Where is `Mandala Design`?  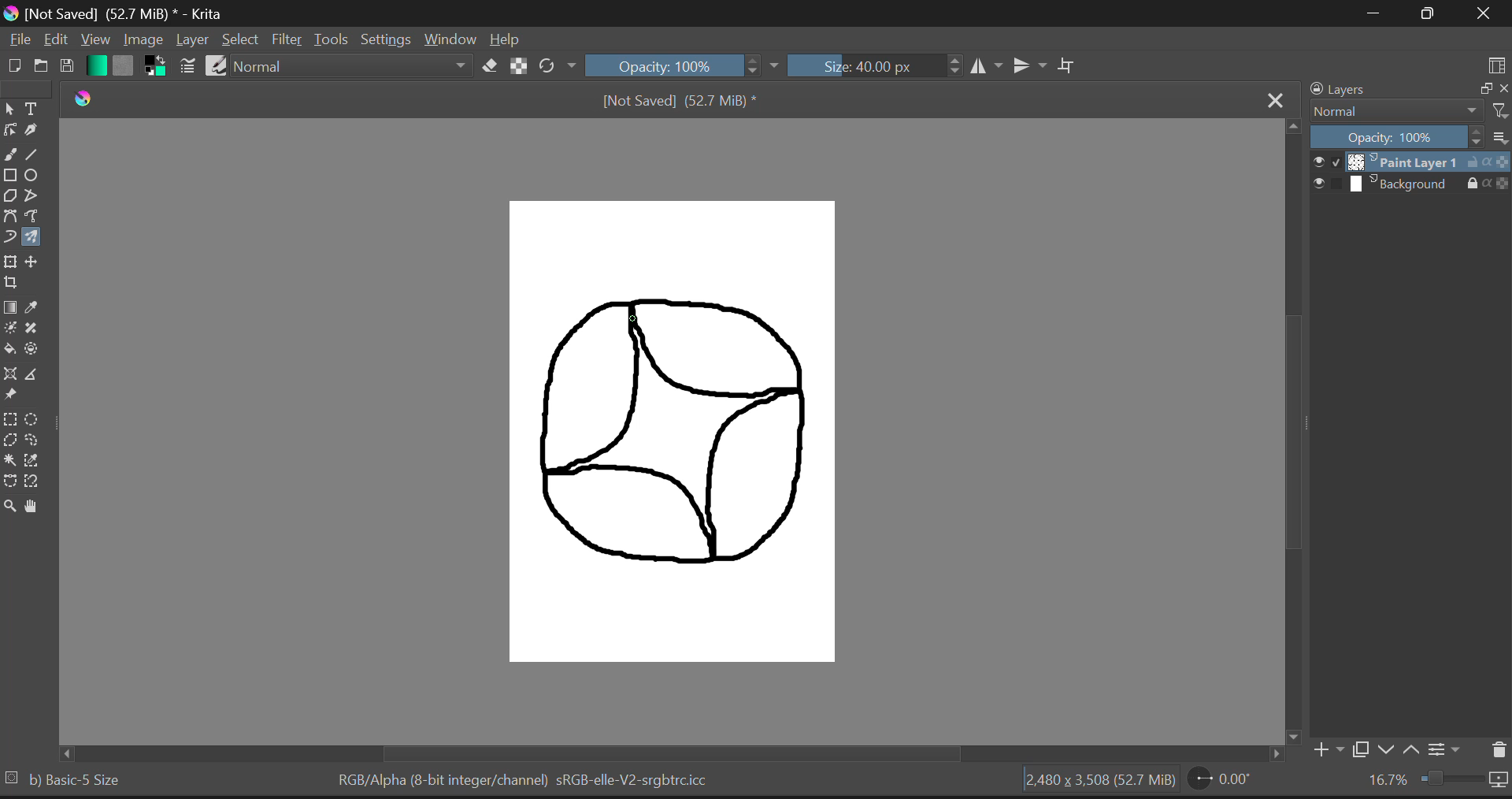
Mandala Design is located at coordinates (675, 440).